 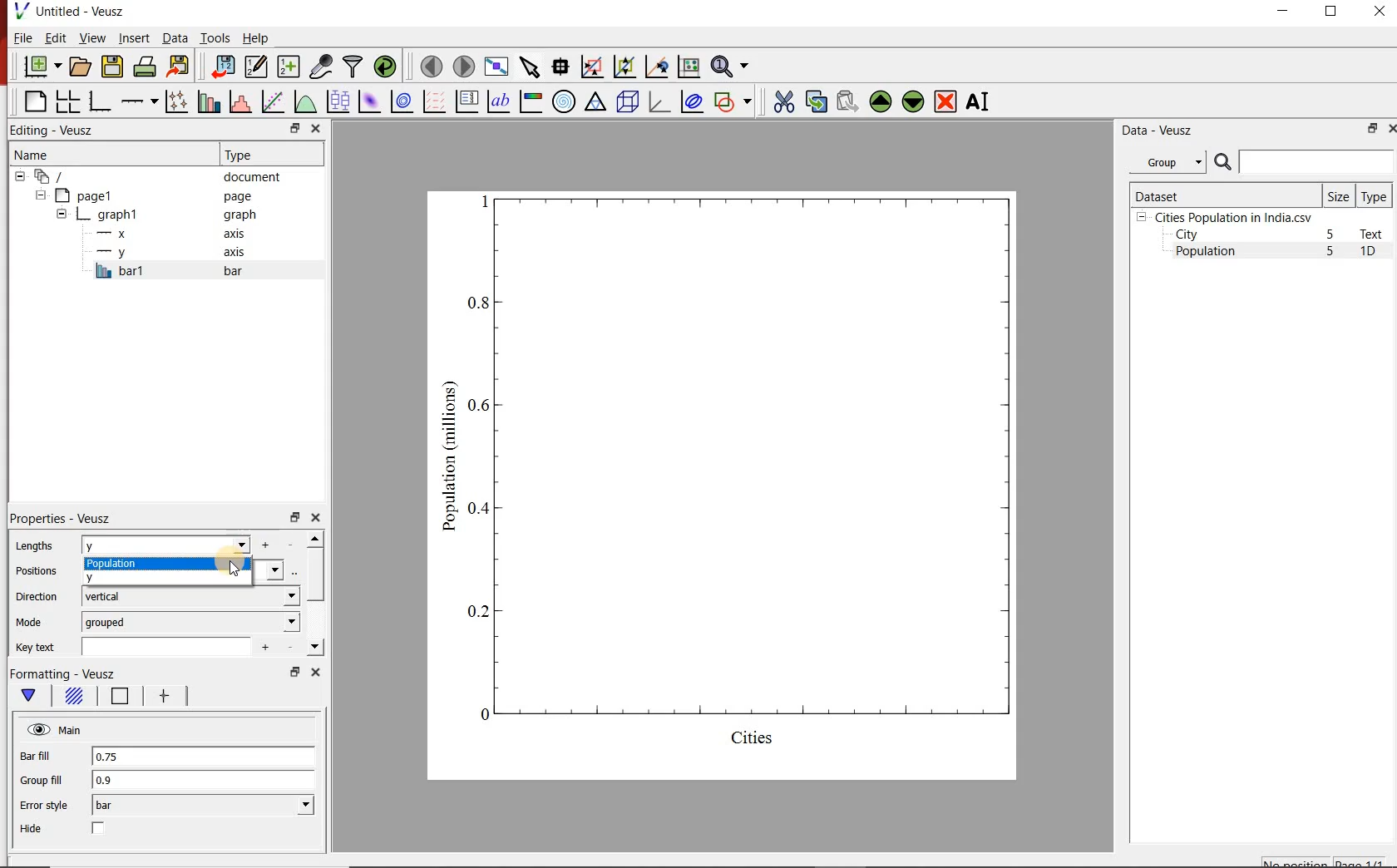 I want to click on Data, so click(x=175, y=39).